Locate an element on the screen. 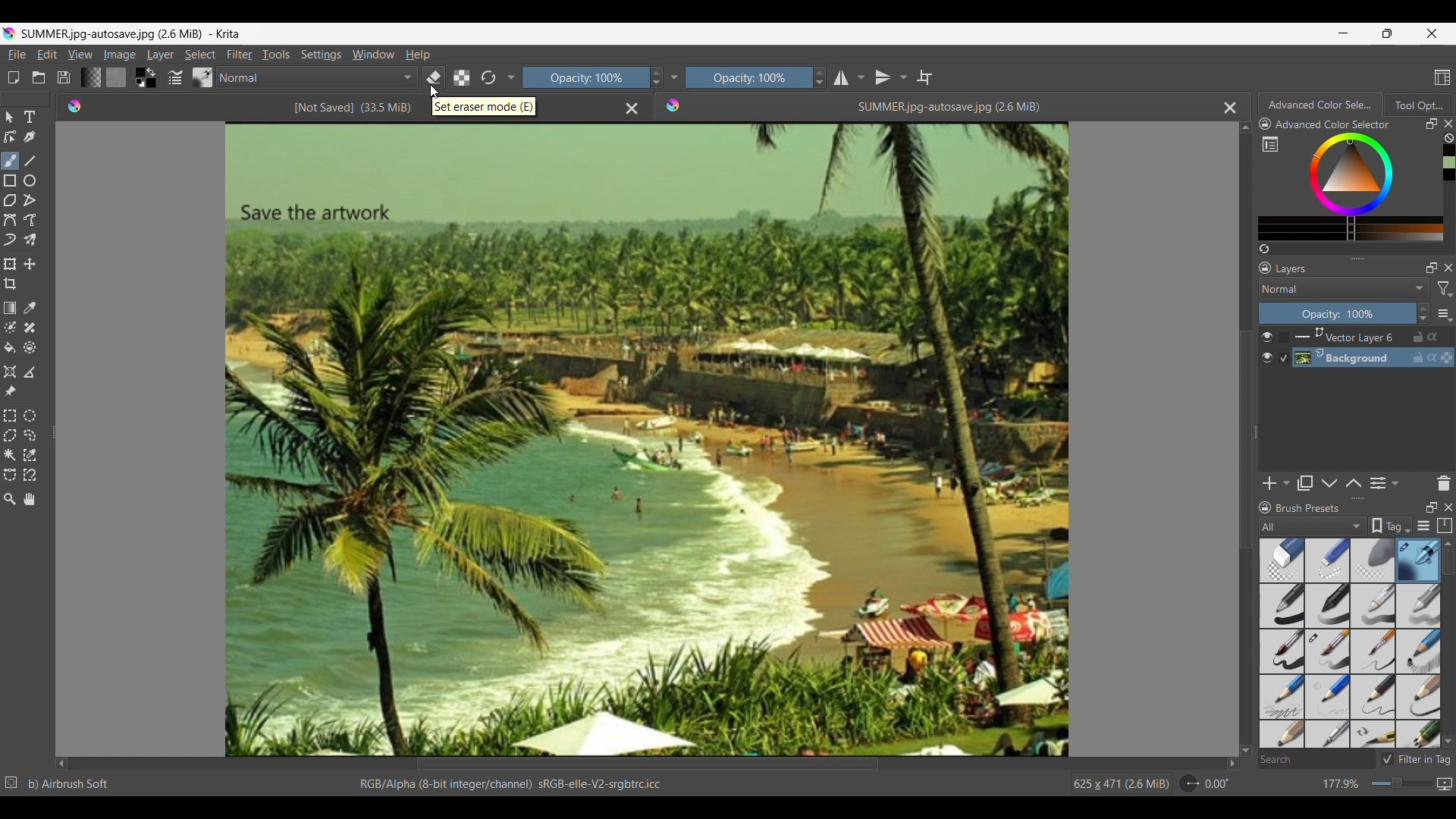 This screenshot has height=819, width=1456. Freehand path tool is located at coordinates (30, 219).